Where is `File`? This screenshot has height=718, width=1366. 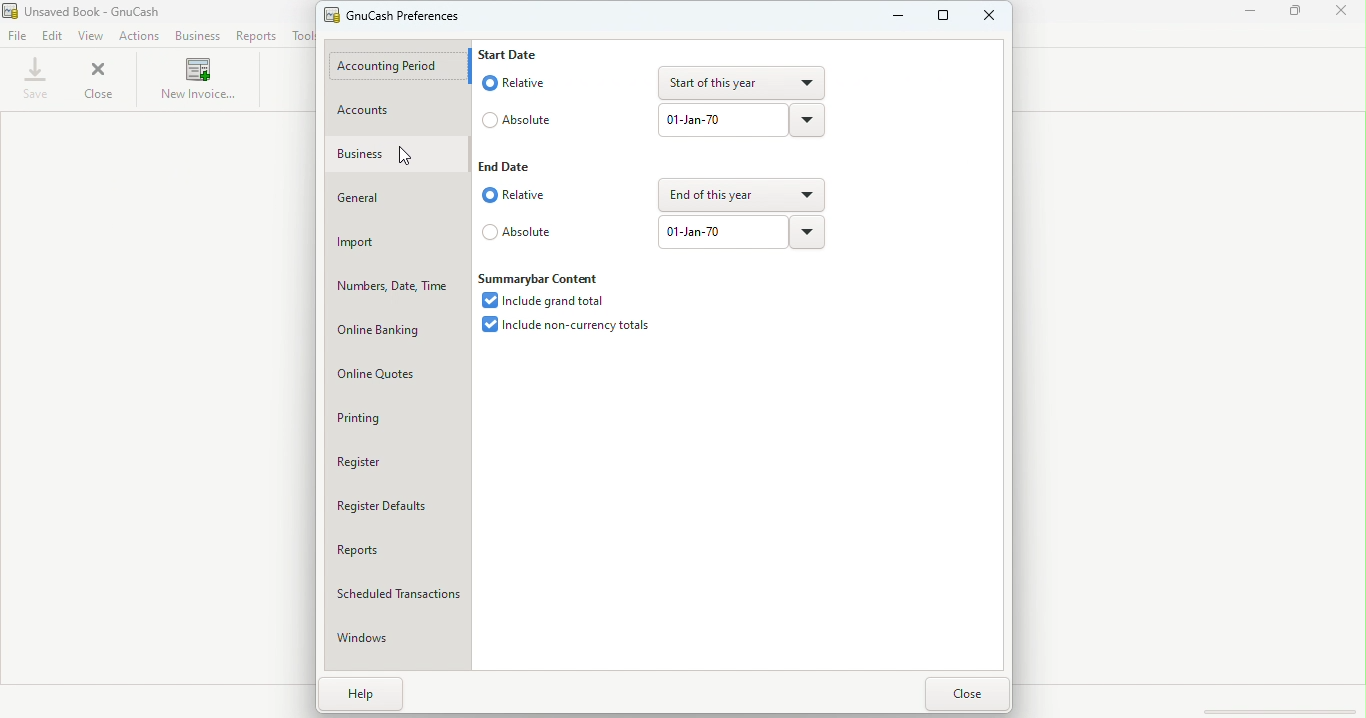 File is located at coordinates (19, 34).